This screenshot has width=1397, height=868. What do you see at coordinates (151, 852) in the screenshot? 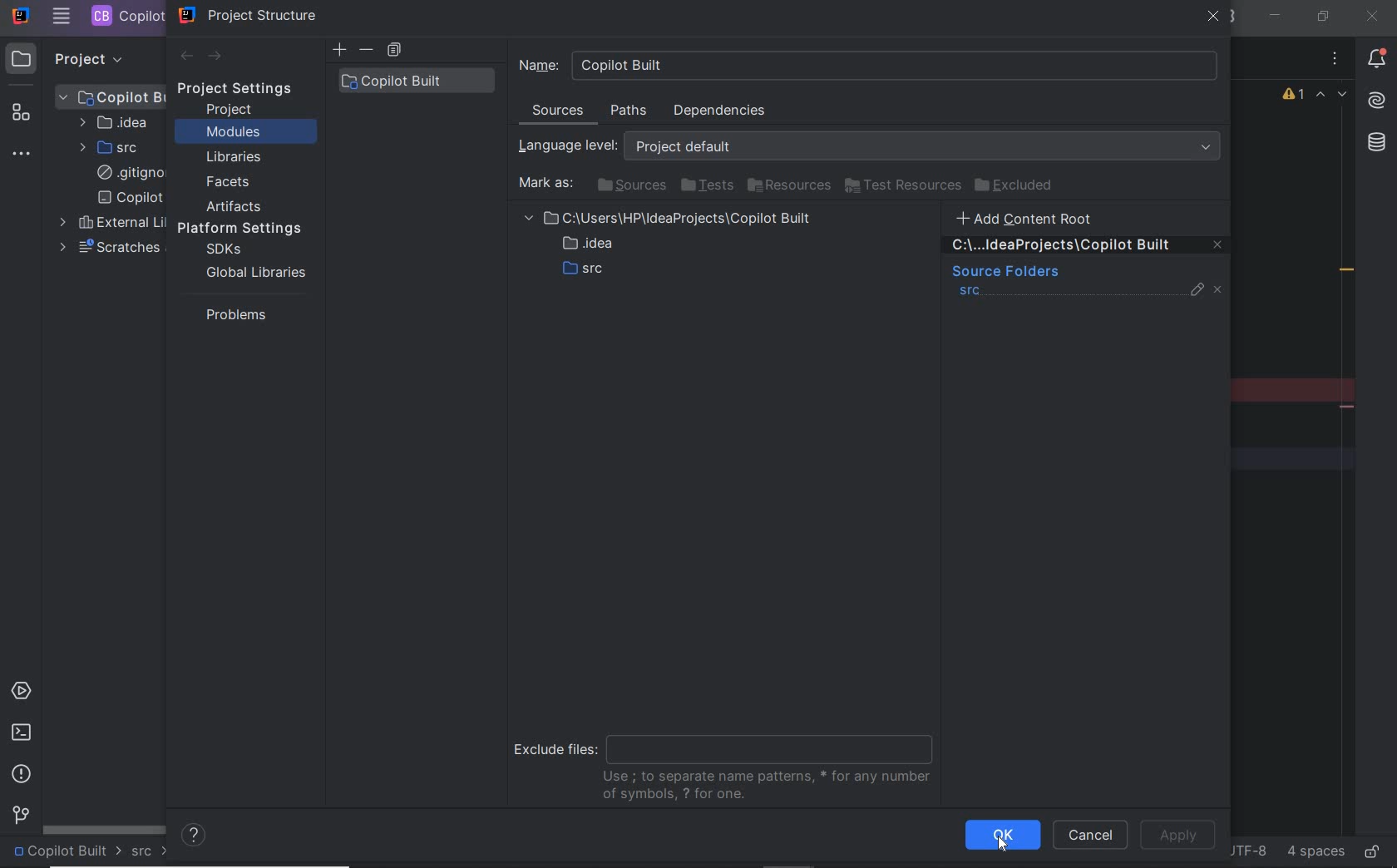
I see `src` at bounding box center [151, 852].